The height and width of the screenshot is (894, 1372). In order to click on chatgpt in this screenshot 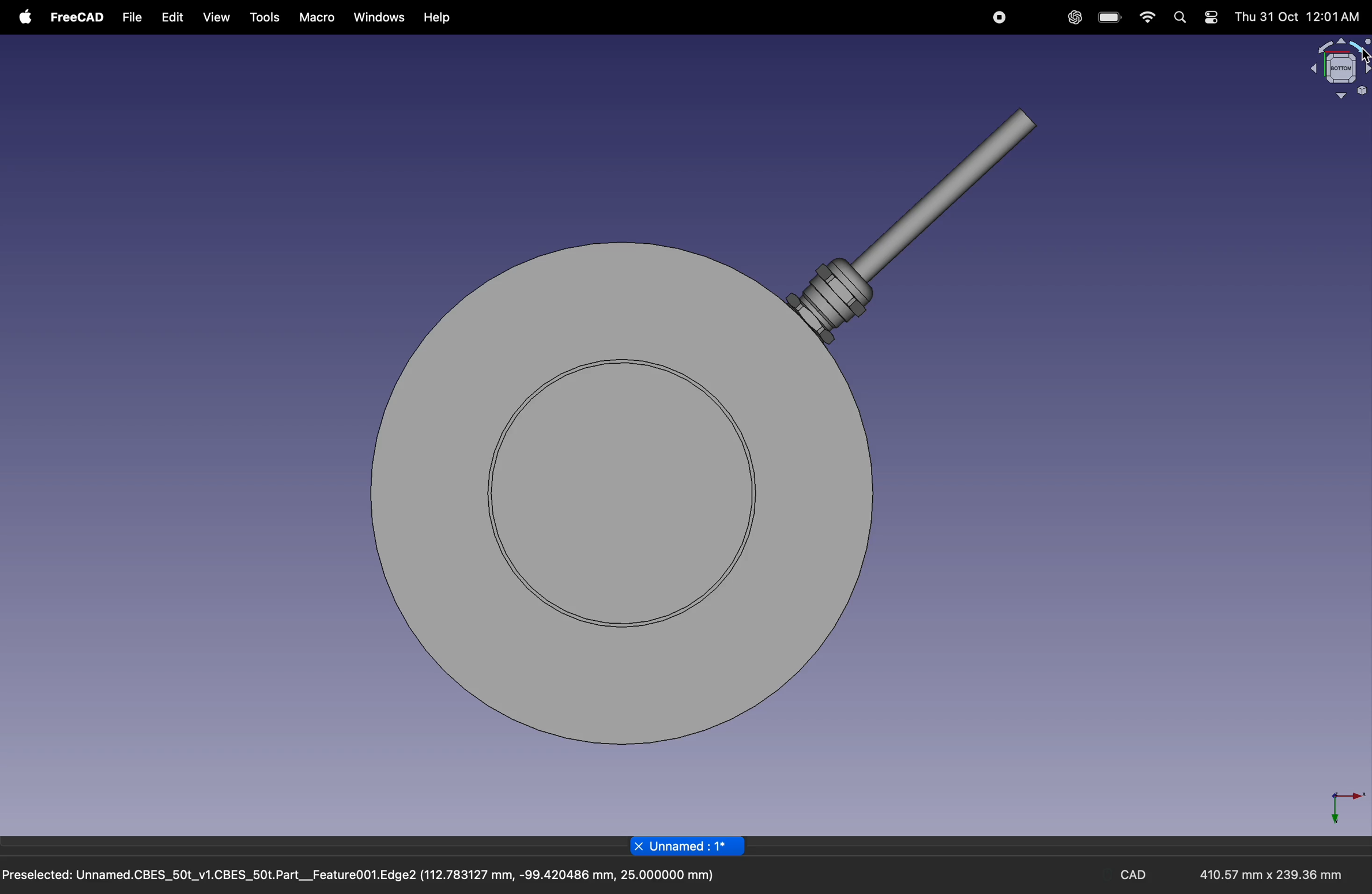, I will do `click(1075, 18)`.